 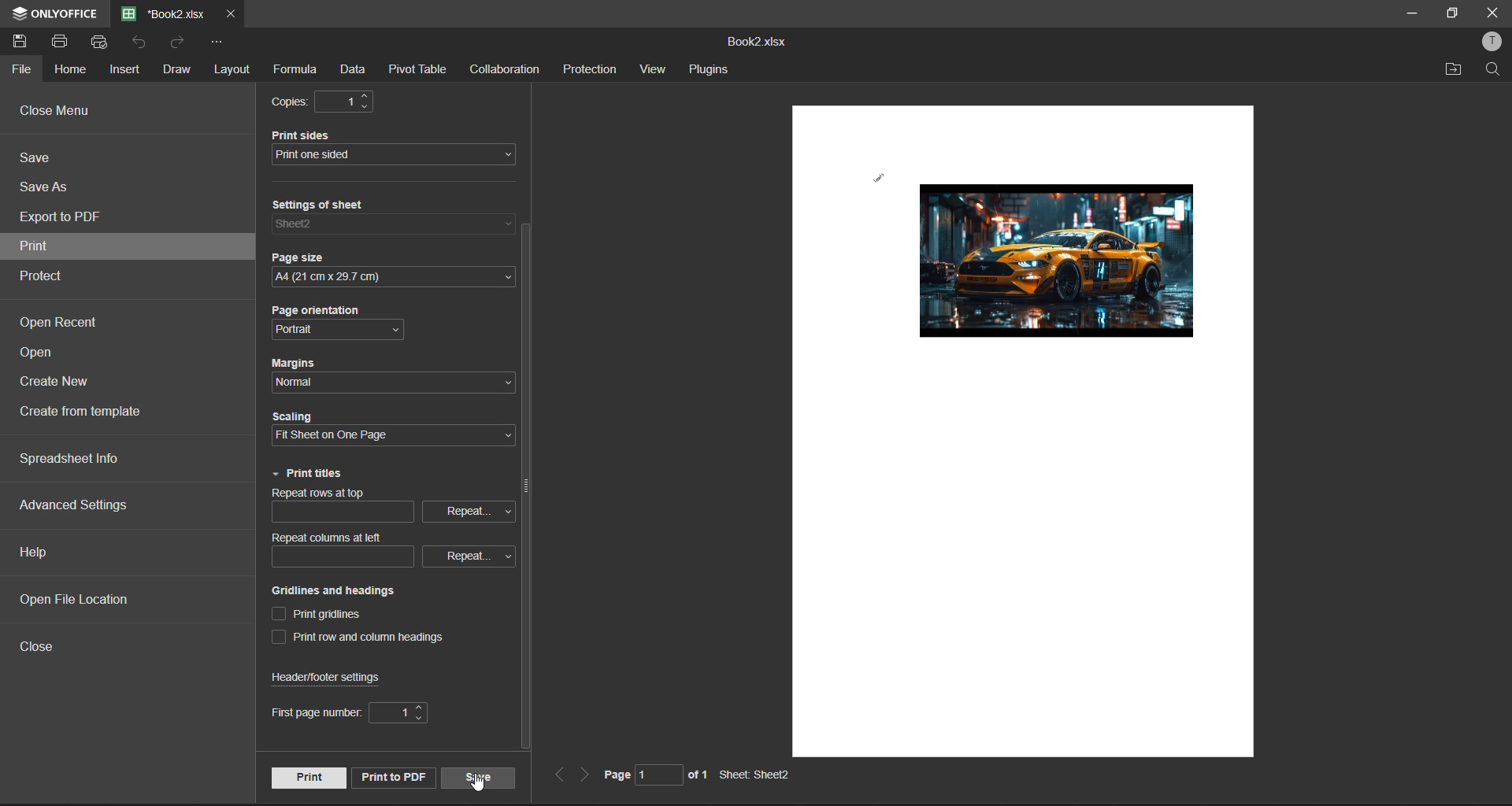 What do you see at coordinates (396, 712) in the screenshot?
I see `1` at bounding box center [396, 712].